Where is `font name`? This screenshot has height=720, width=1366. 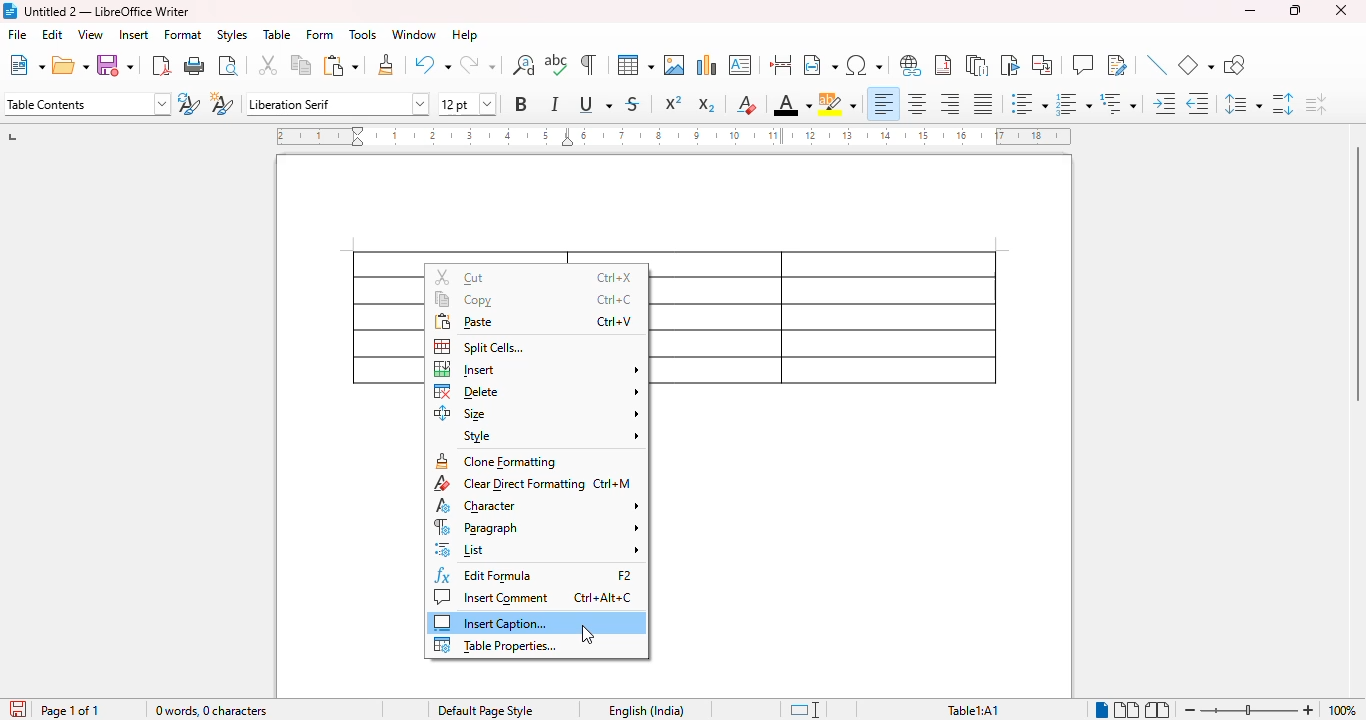
font name is located at coordinates (337, 105).